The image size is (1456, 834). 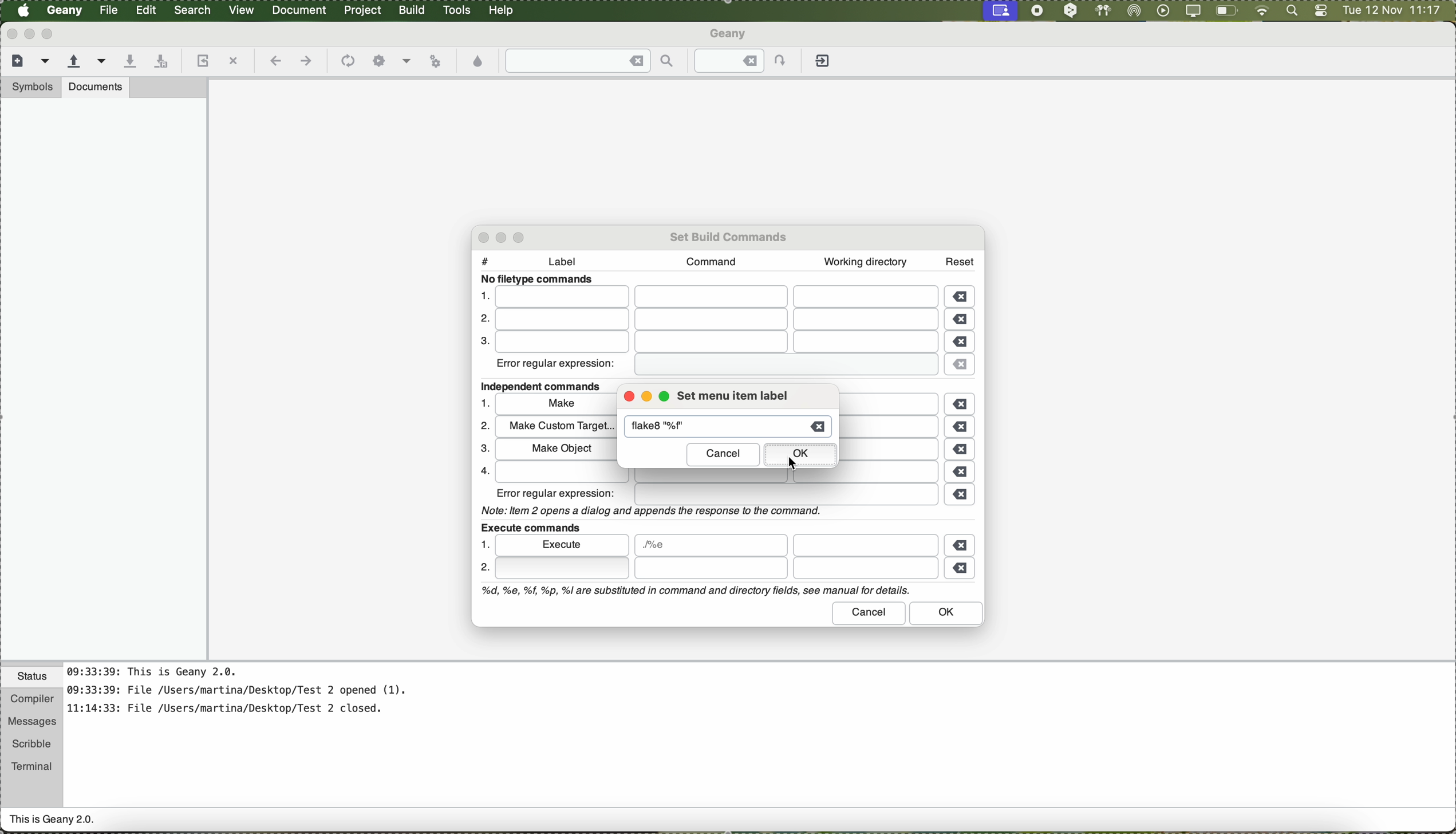 What do you see at coordinates (717, 297) in the screenshot?
I see `file` at bounding box center [717, 297].